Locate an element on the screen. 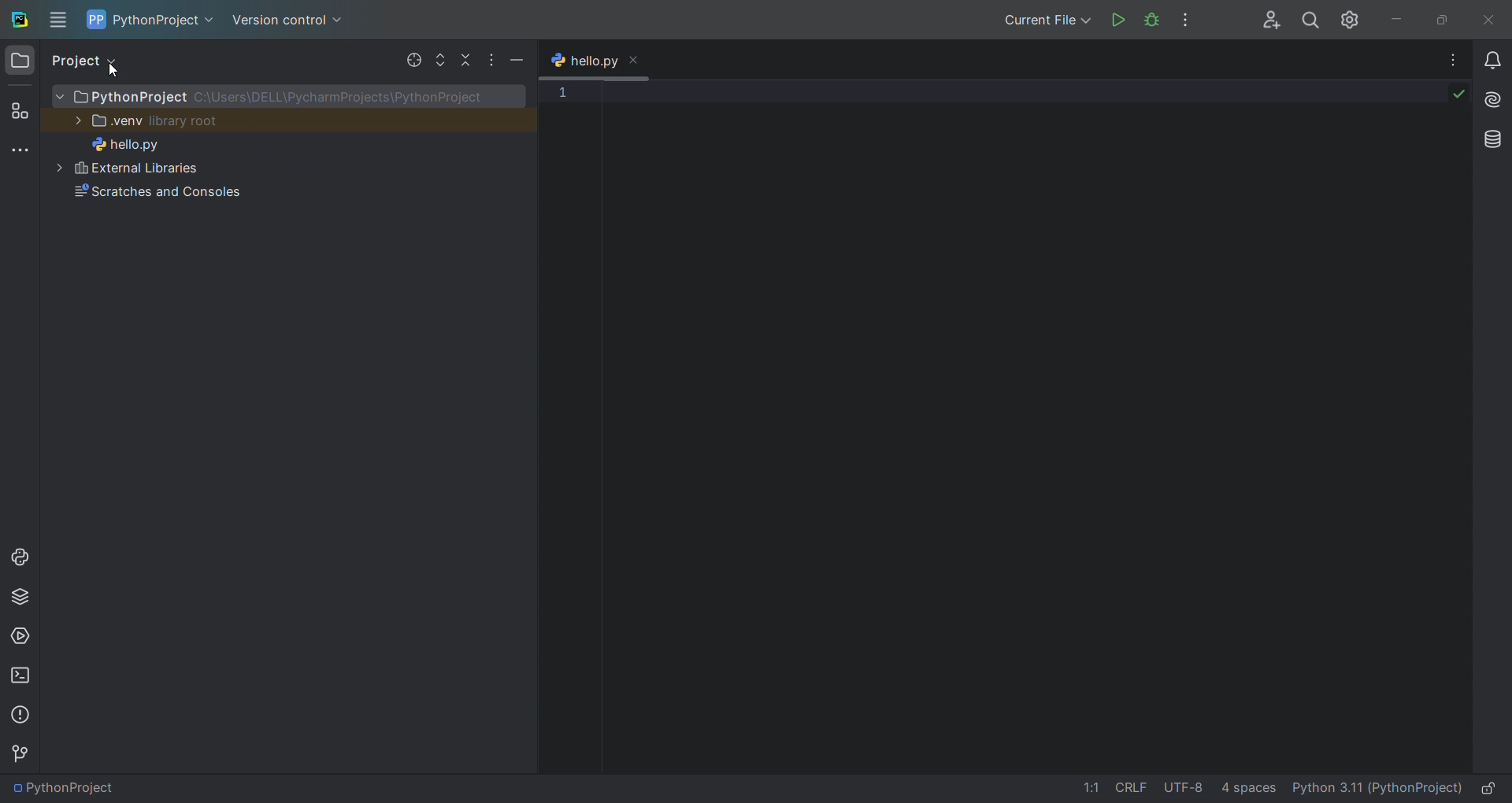  code checker is located at coordinates (1458, 95).